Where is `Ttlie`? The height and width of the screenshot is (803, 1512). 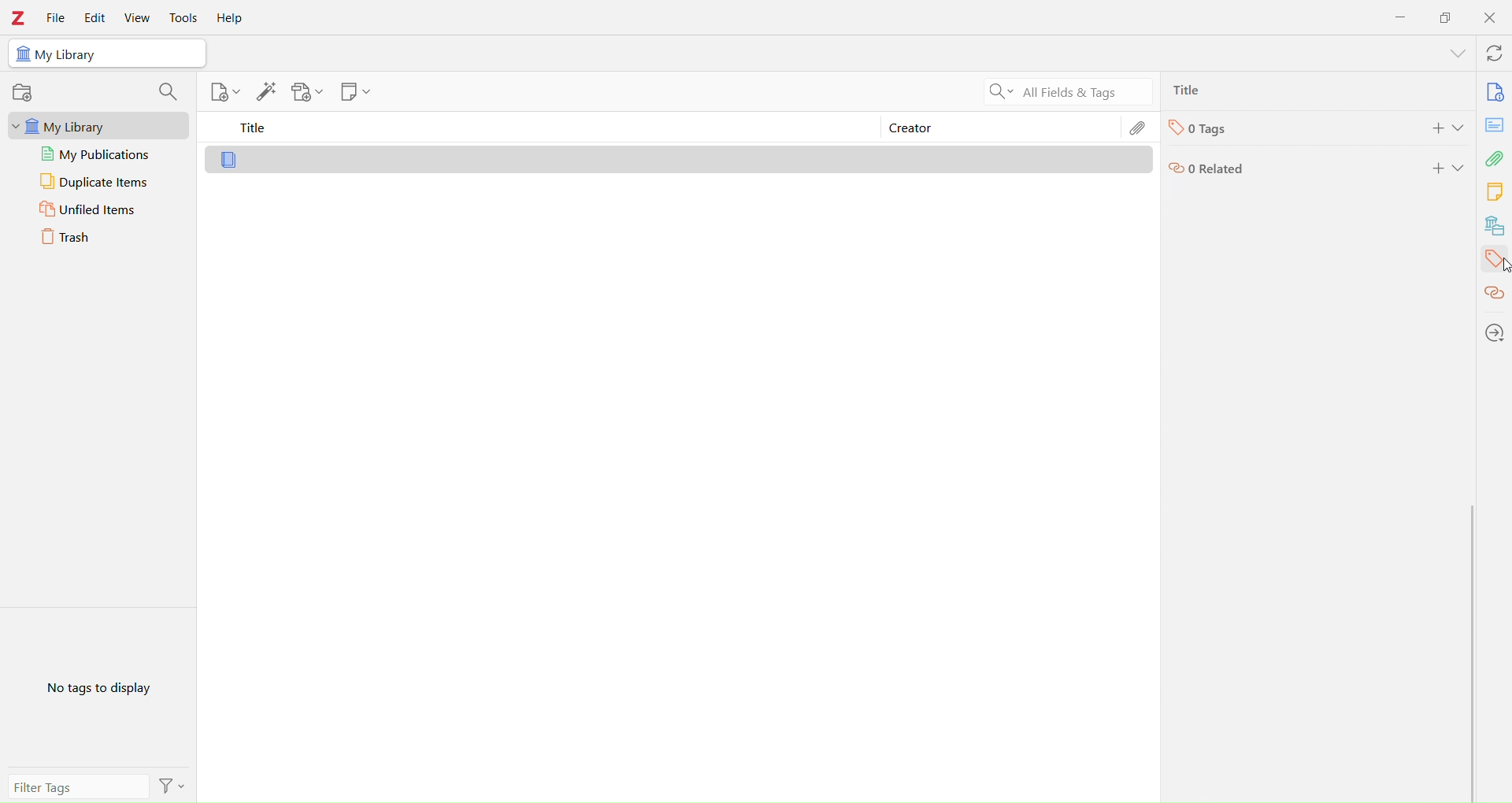
Ttlie is located at coordinates (1191, 90).